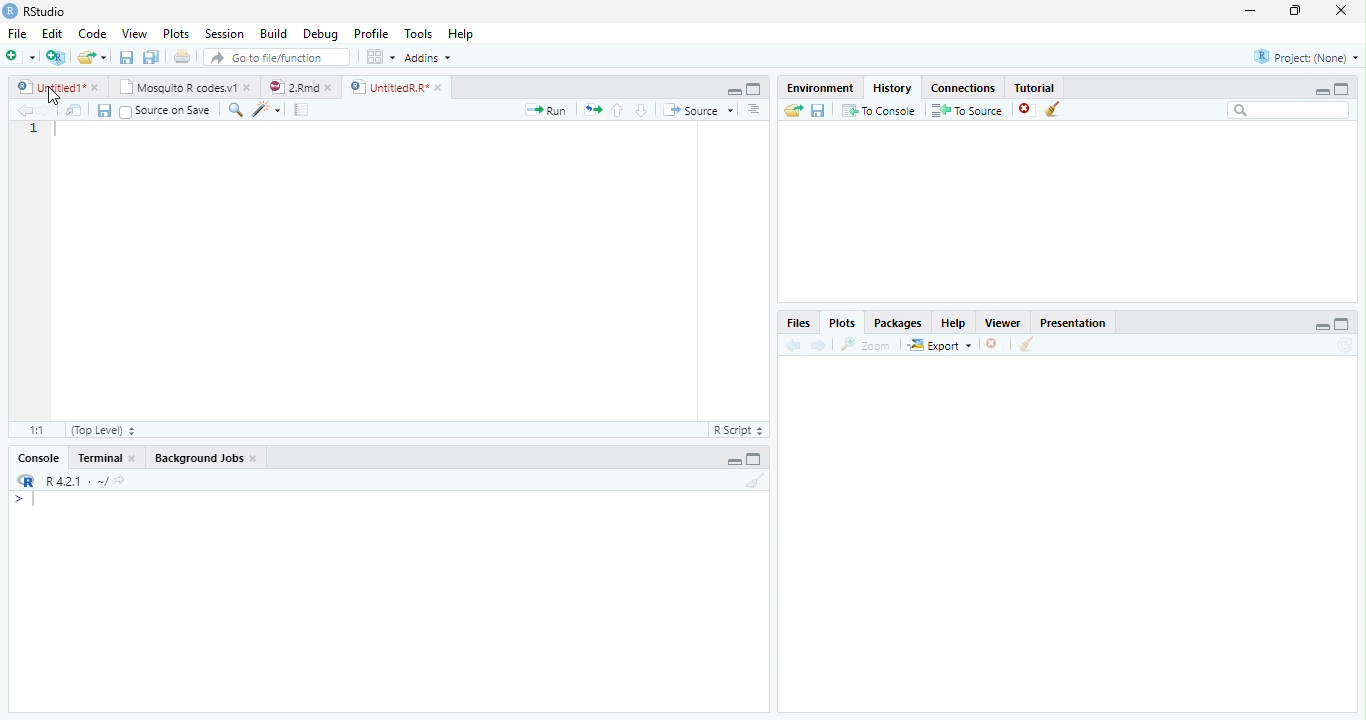 This screenshot has height=720, width=1366. What do you see at coordinates (44, 111) in the screenshot?
I see `Next` at bounding box center [44, 111].